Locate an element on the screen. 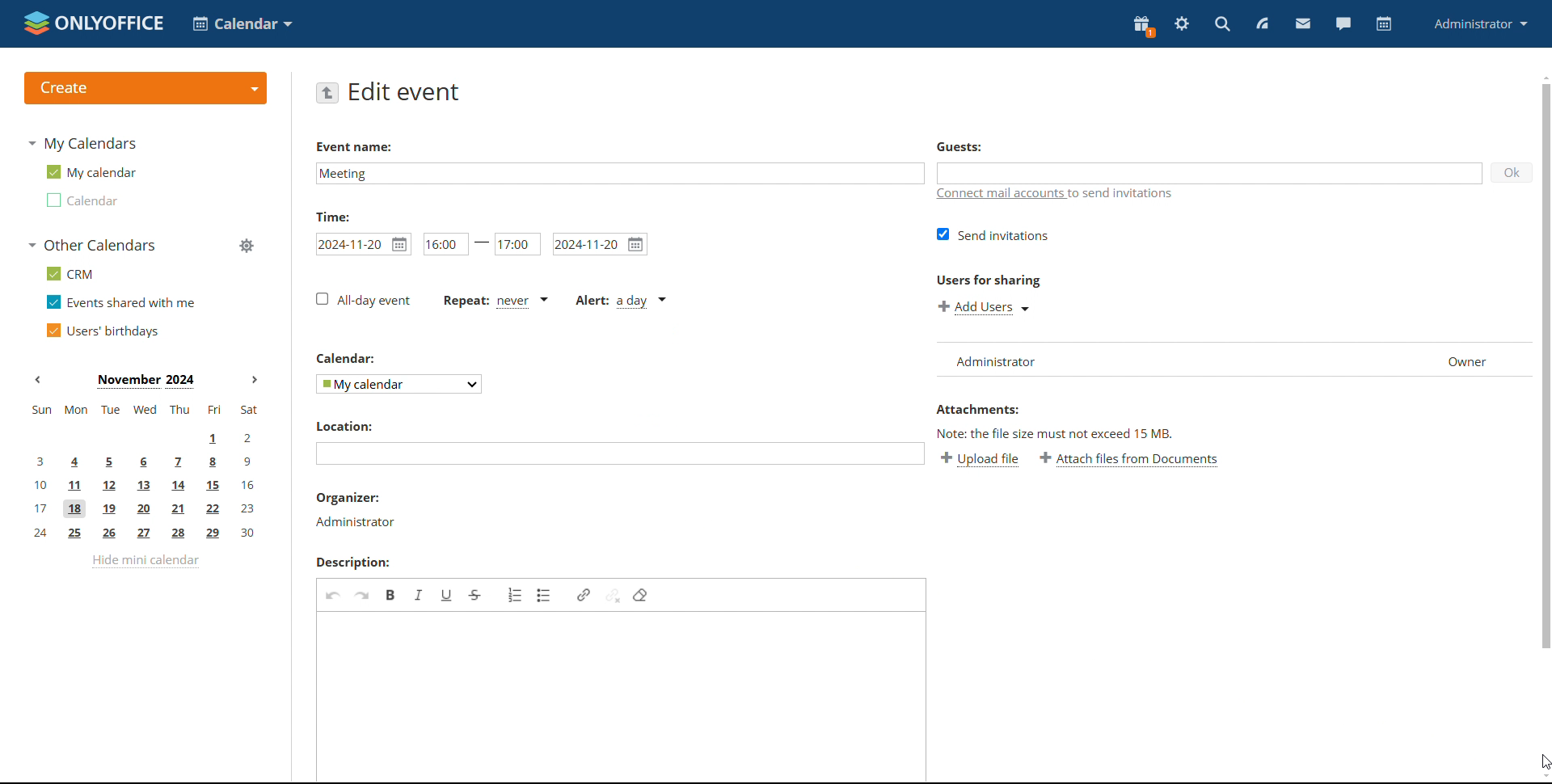 Image resolution: width=1552 pixels, height=784 pixels. users' birthdays  is located at coordinates (102, 331).